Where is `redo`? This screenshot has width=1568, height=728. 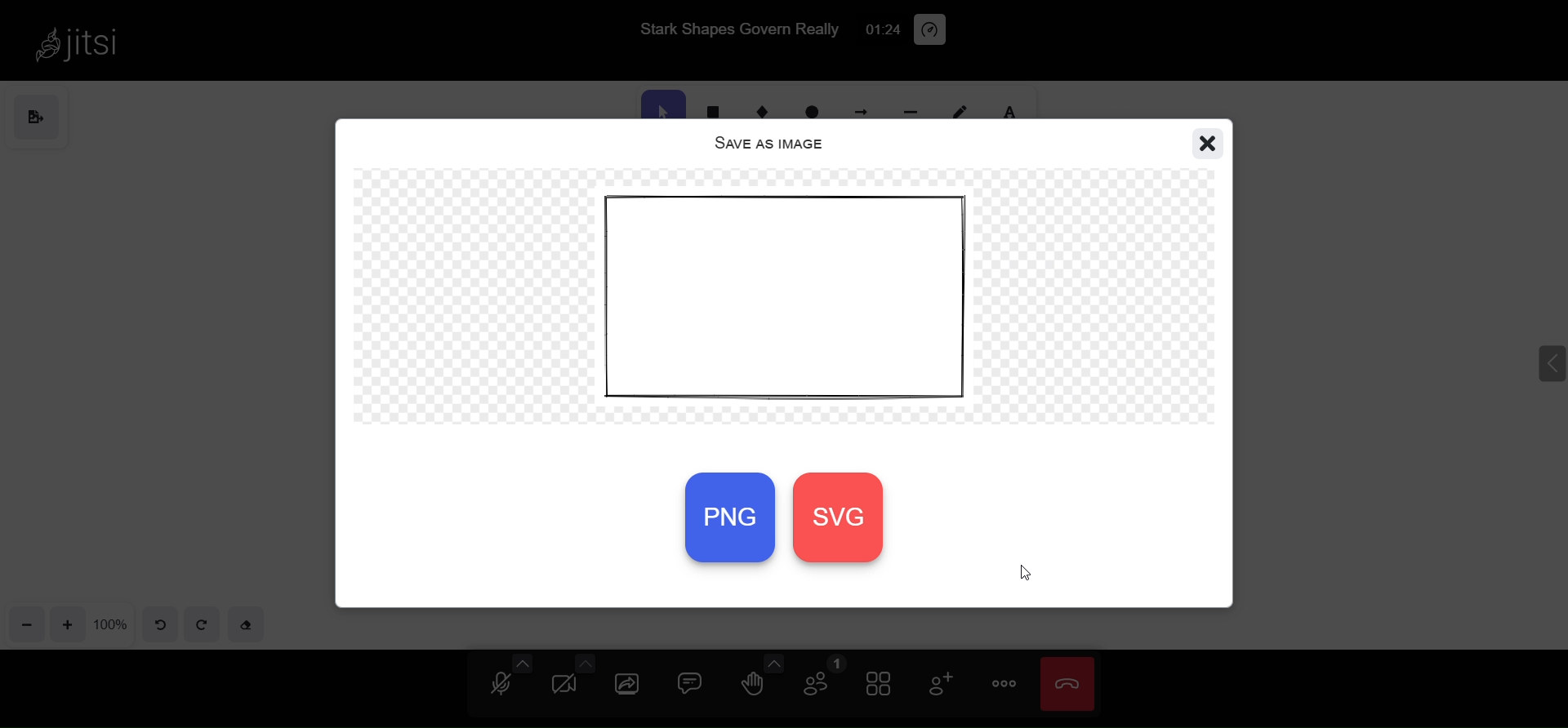 redo is located at coordinates (204, 626).